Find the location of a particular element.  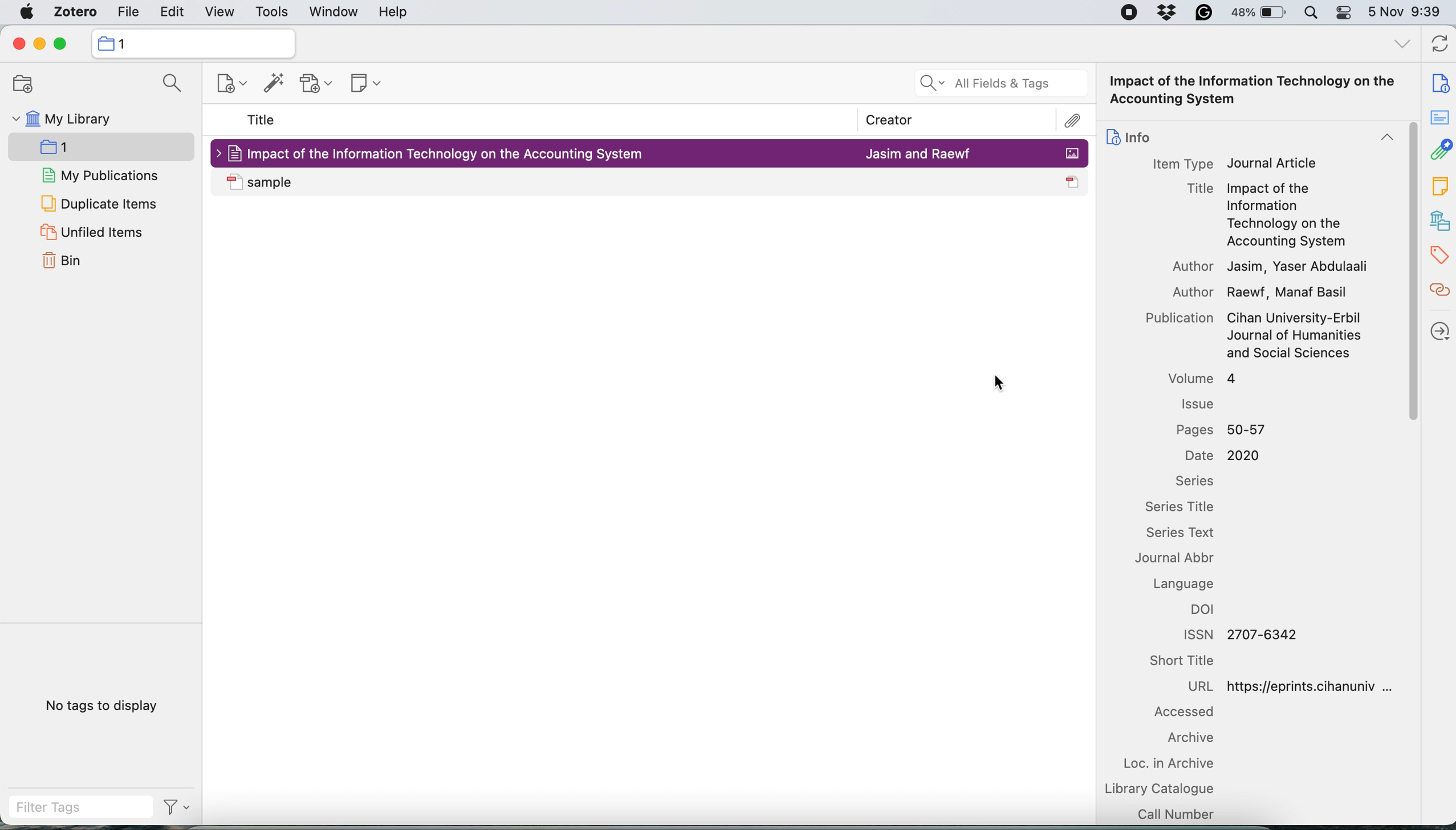

image icon is located at coordinates (1071, 154).